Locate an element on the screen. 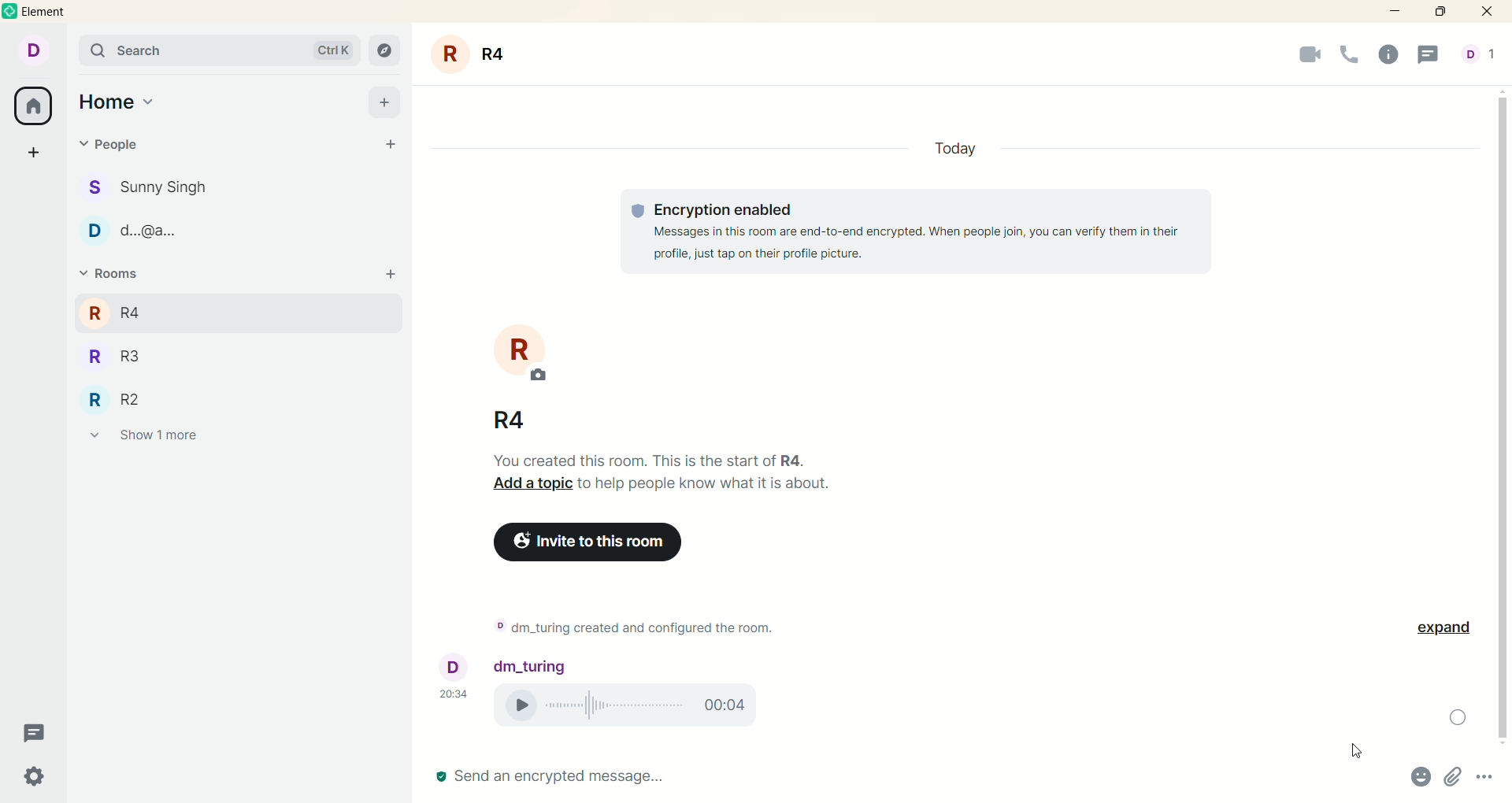 Image resolution: width=1512 pixels, height=803 pixels.  is located at coordinates (458, 679).